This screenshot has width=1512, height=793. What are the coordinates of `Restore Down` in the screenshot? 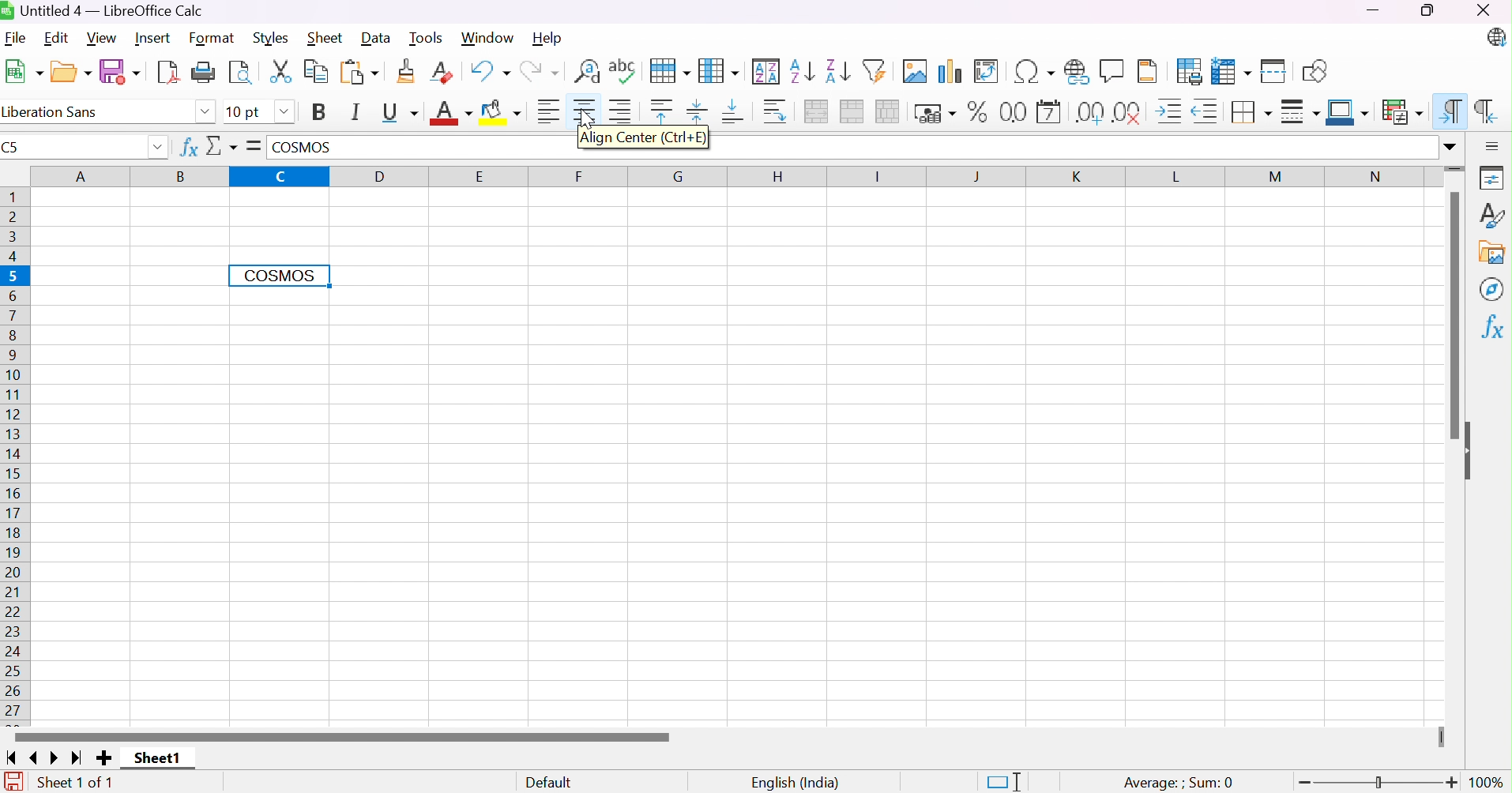 It's located at (1429, 11).